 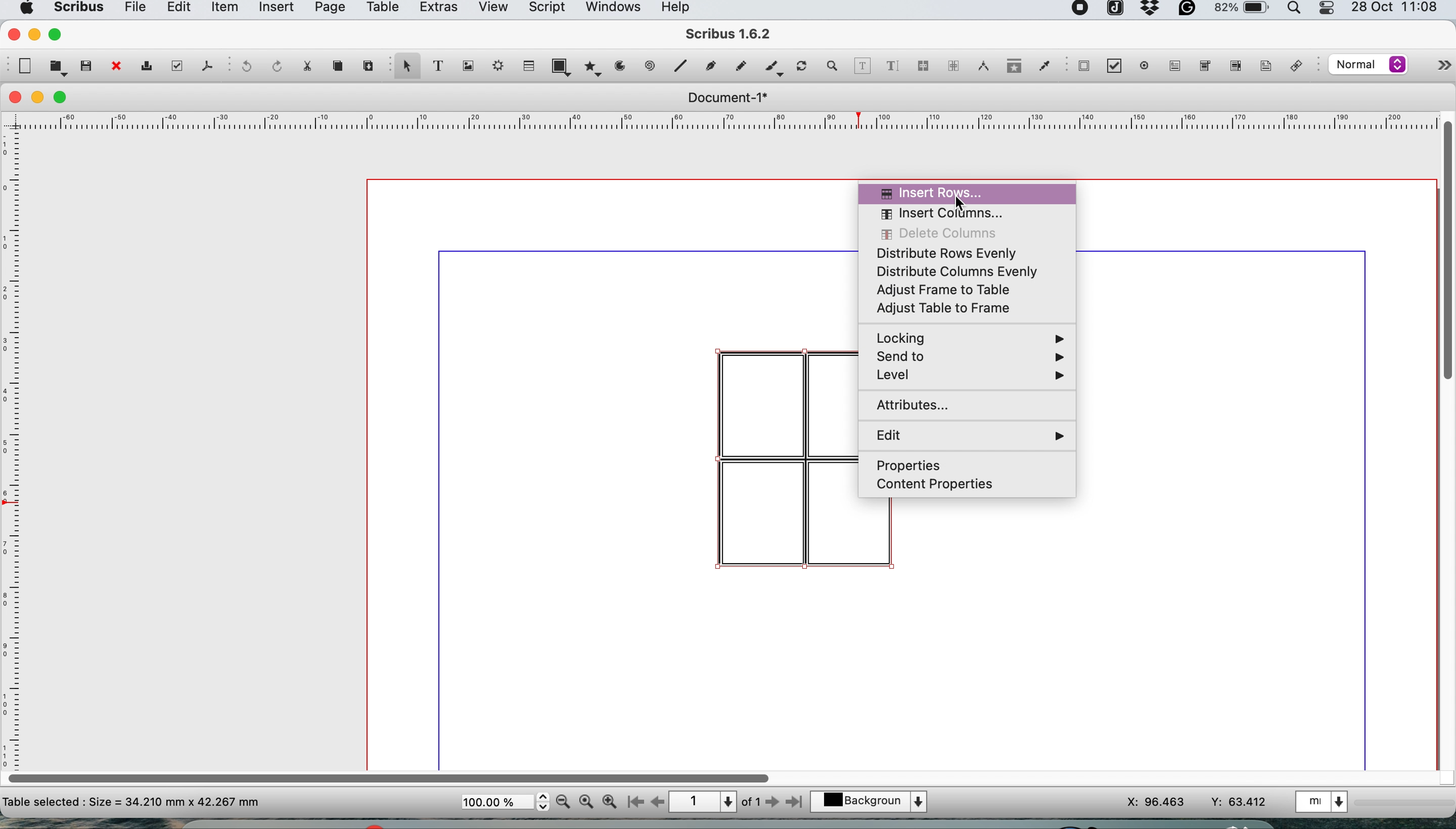 I want to click on control center, so click(x=1328, y=9).